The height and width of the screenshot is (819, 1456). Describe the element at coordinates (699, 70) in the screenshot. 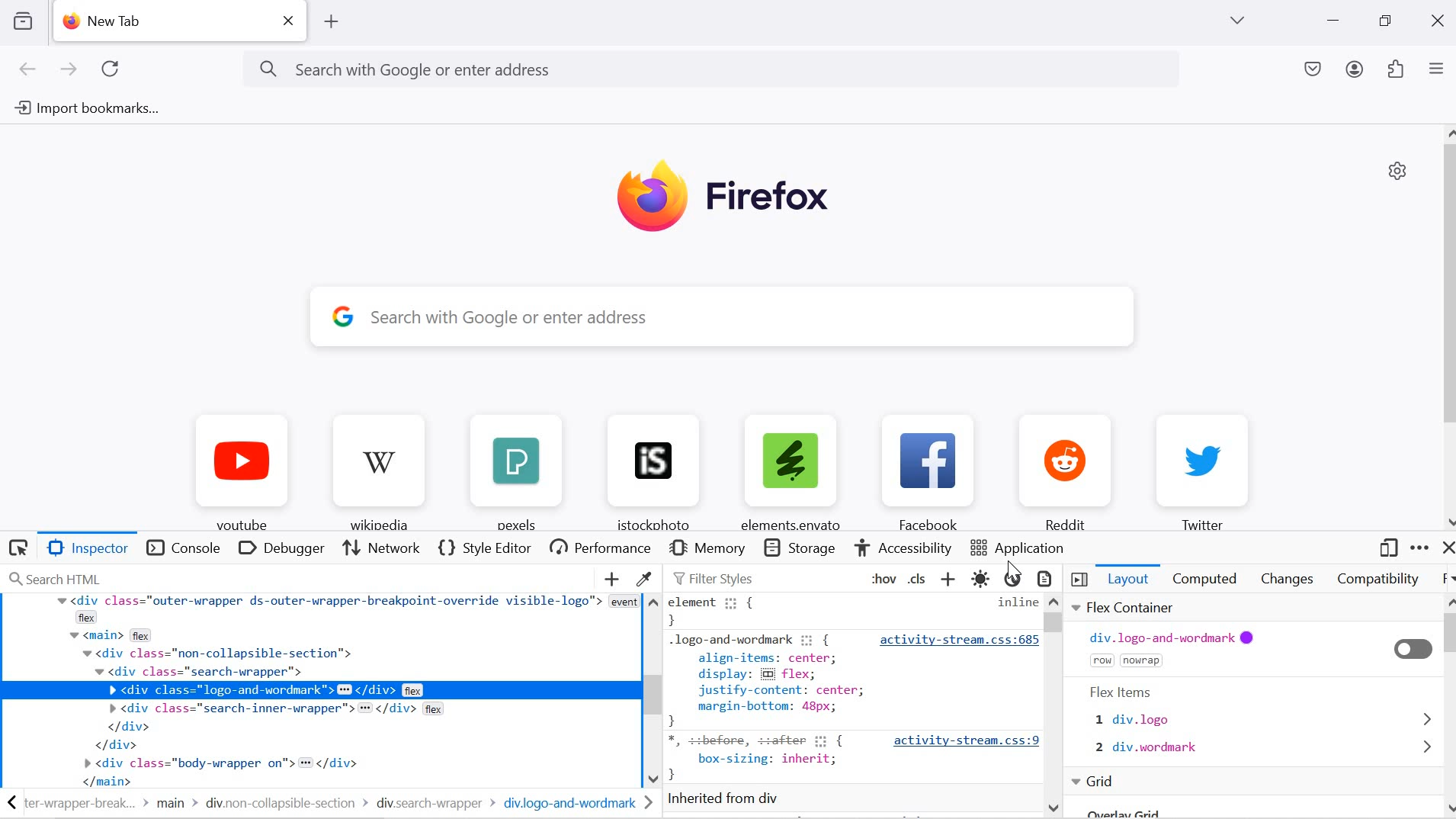

I see ` Search with Google or enter address` at that location.